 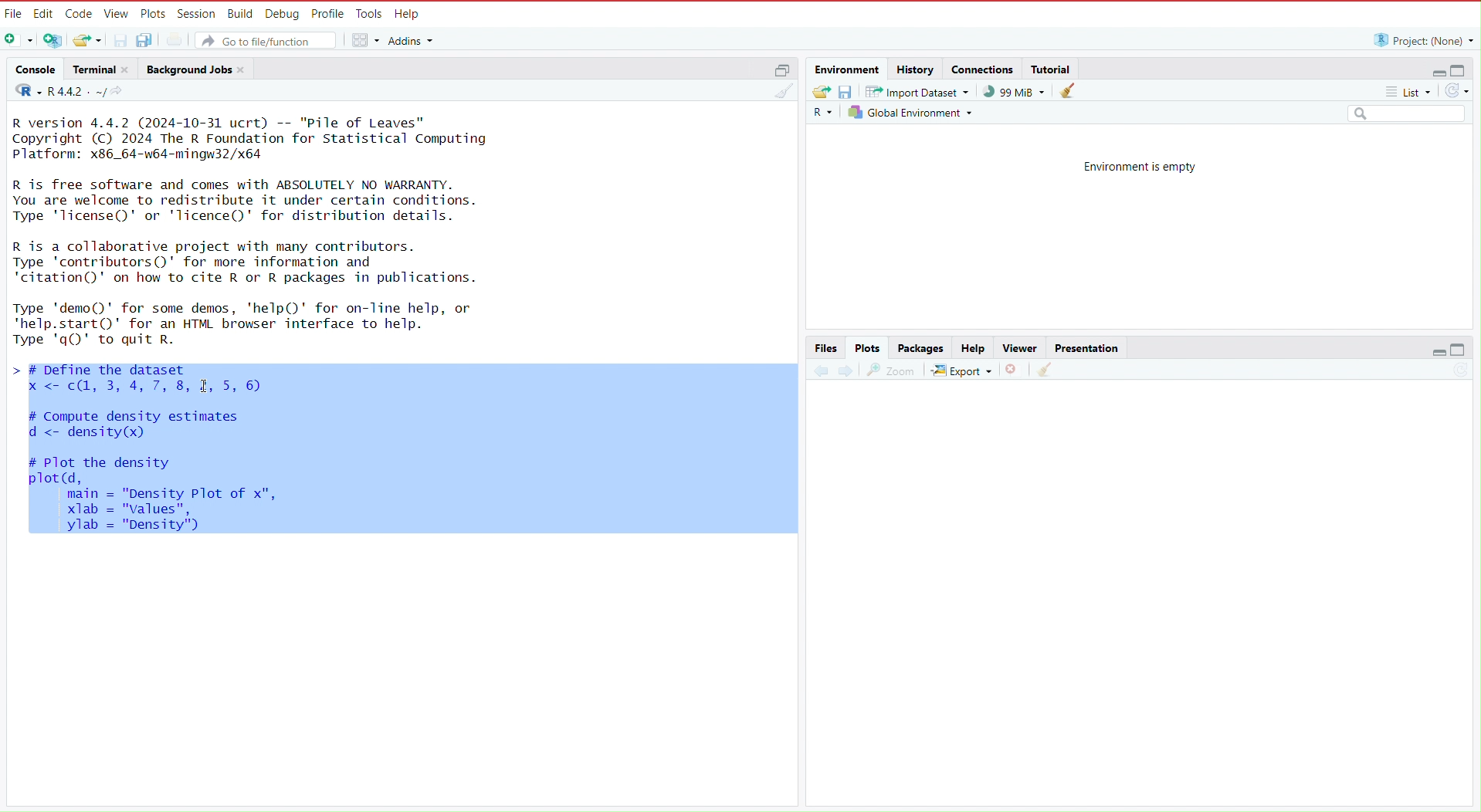 I want to click on refresh the list of objects in the environment, so click(x=1462, y=92).